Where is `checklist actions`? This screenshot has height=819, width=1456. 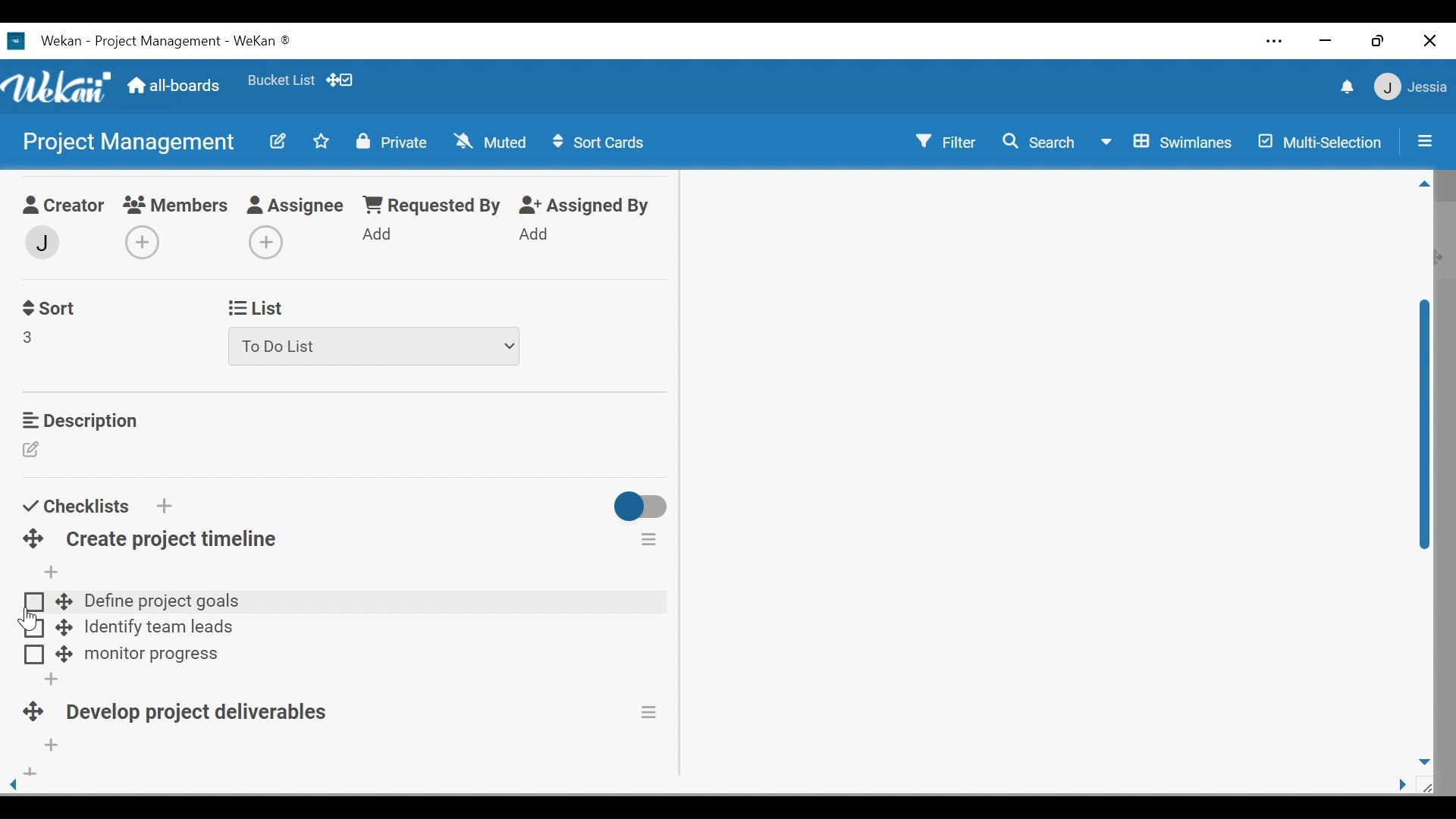 checklist actions is located at coordinates (649, 538).